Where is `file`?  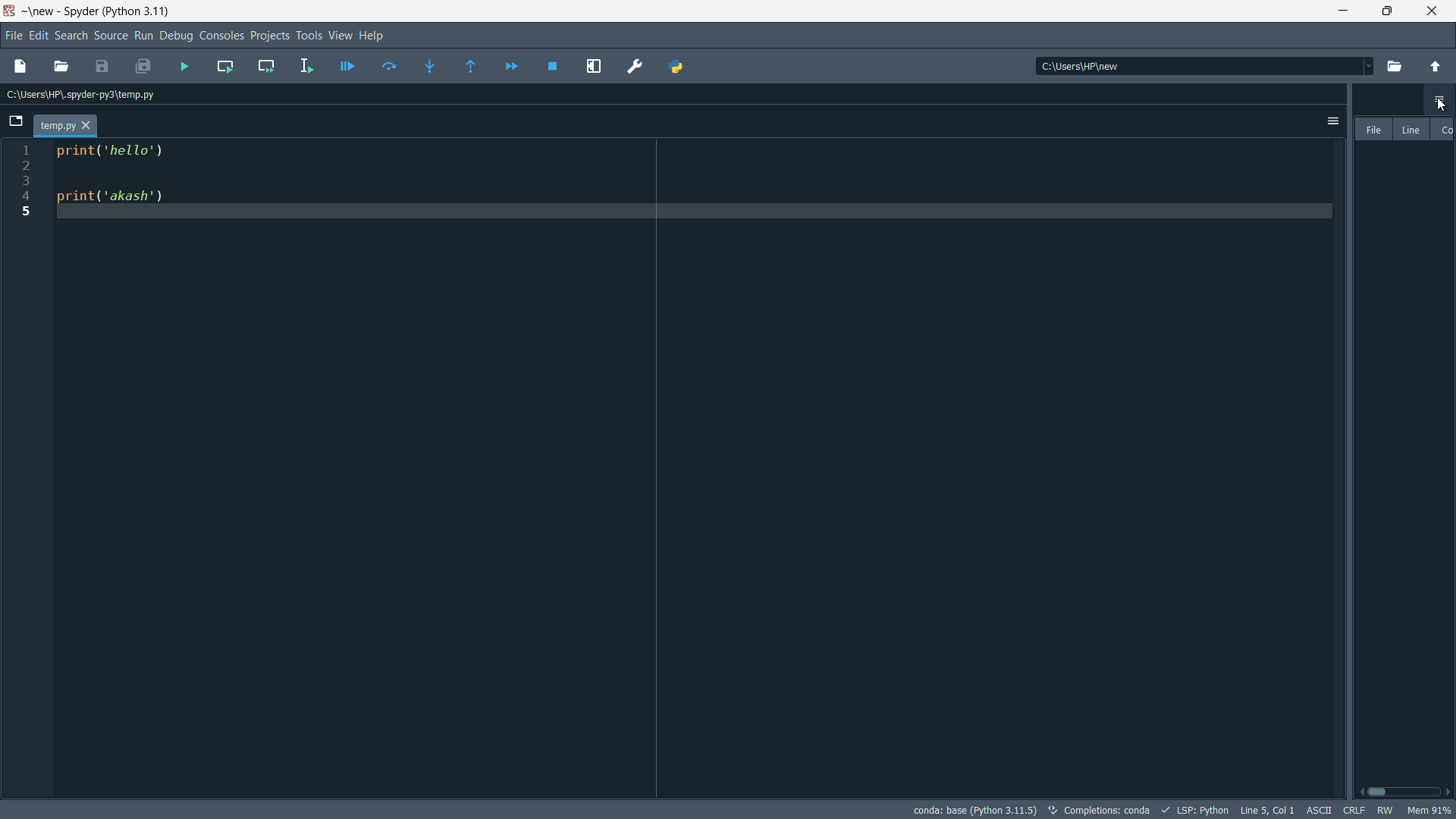 file is located at coordinates (1373, 128).